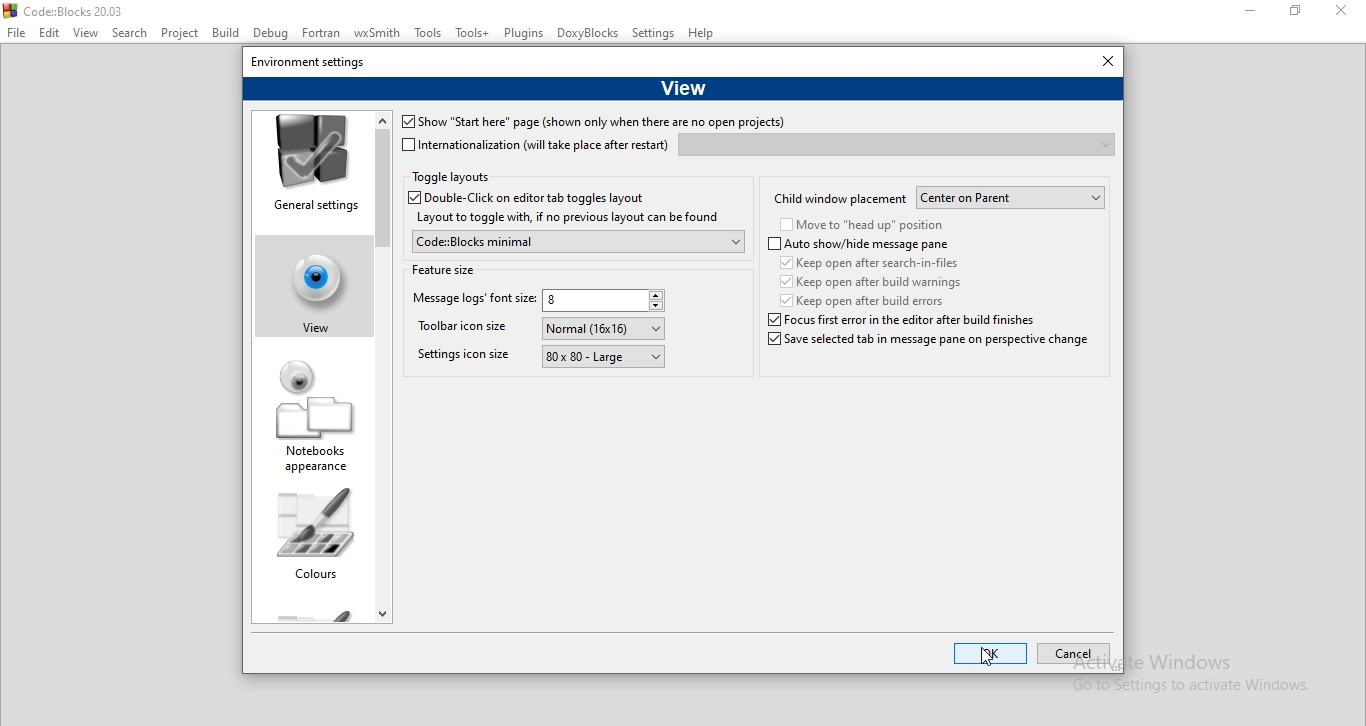  Describe the element at coordinates (576, 241) in the screenshot. I see `Code:Blocks minimal` at that location.